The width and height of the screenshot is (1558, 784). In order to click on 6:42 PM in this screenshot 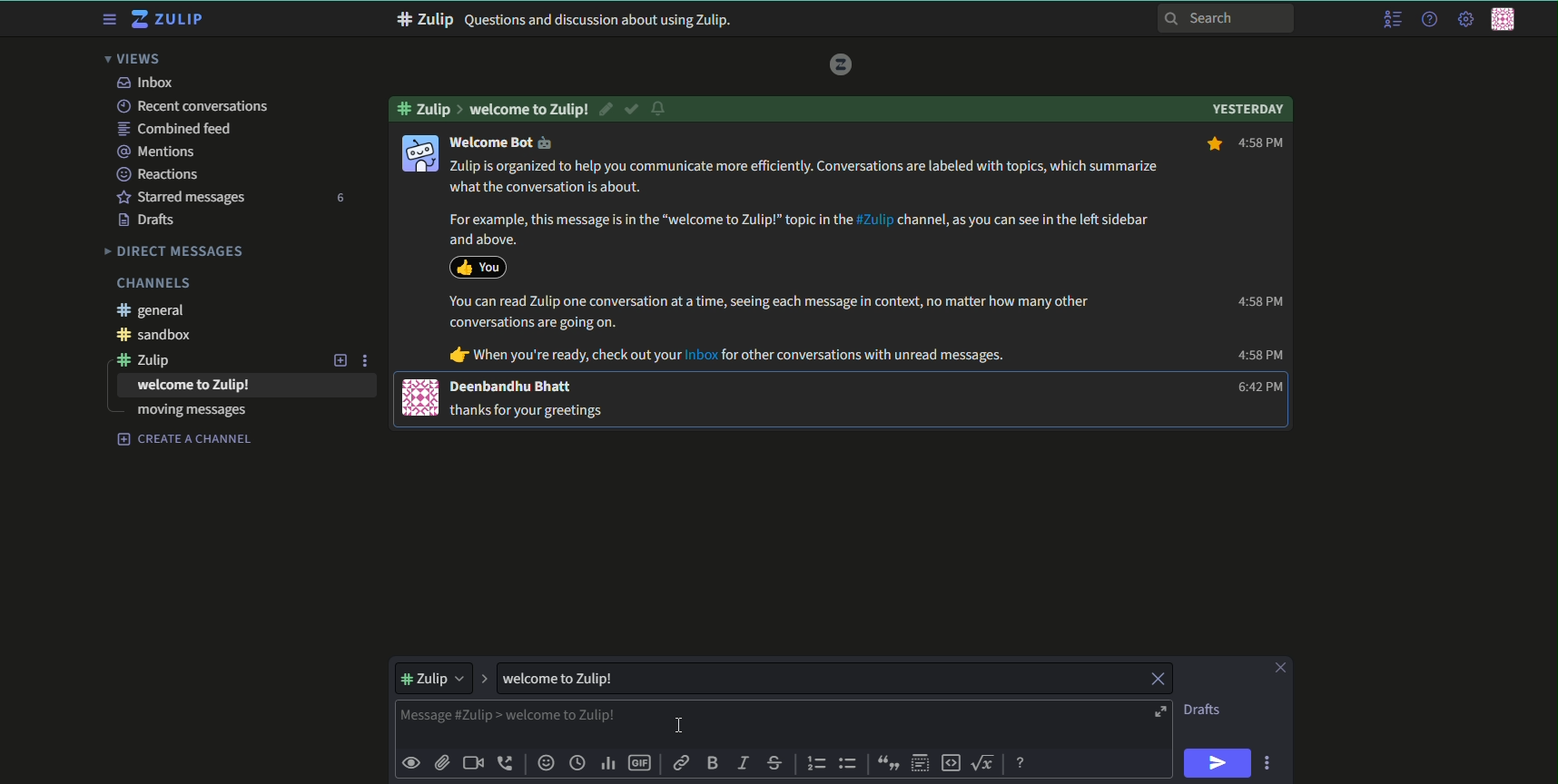, I will do `click(1255, 387)`.